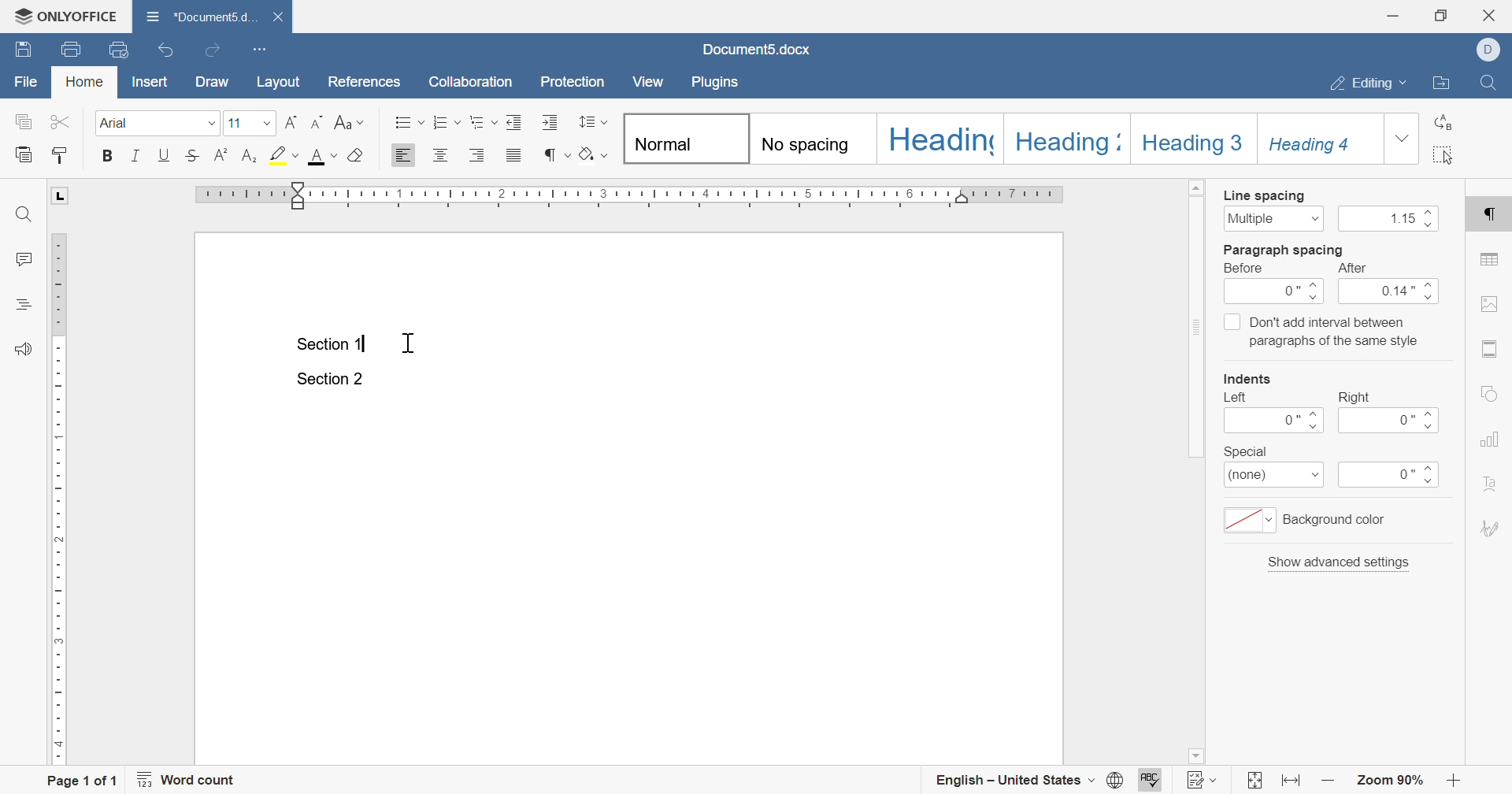 The width and height of the screenshot is (1512, 794). What do you see at coordinates (1250, 379) in the screenshot?
I see `indents` at bounding box center [1250, 379].